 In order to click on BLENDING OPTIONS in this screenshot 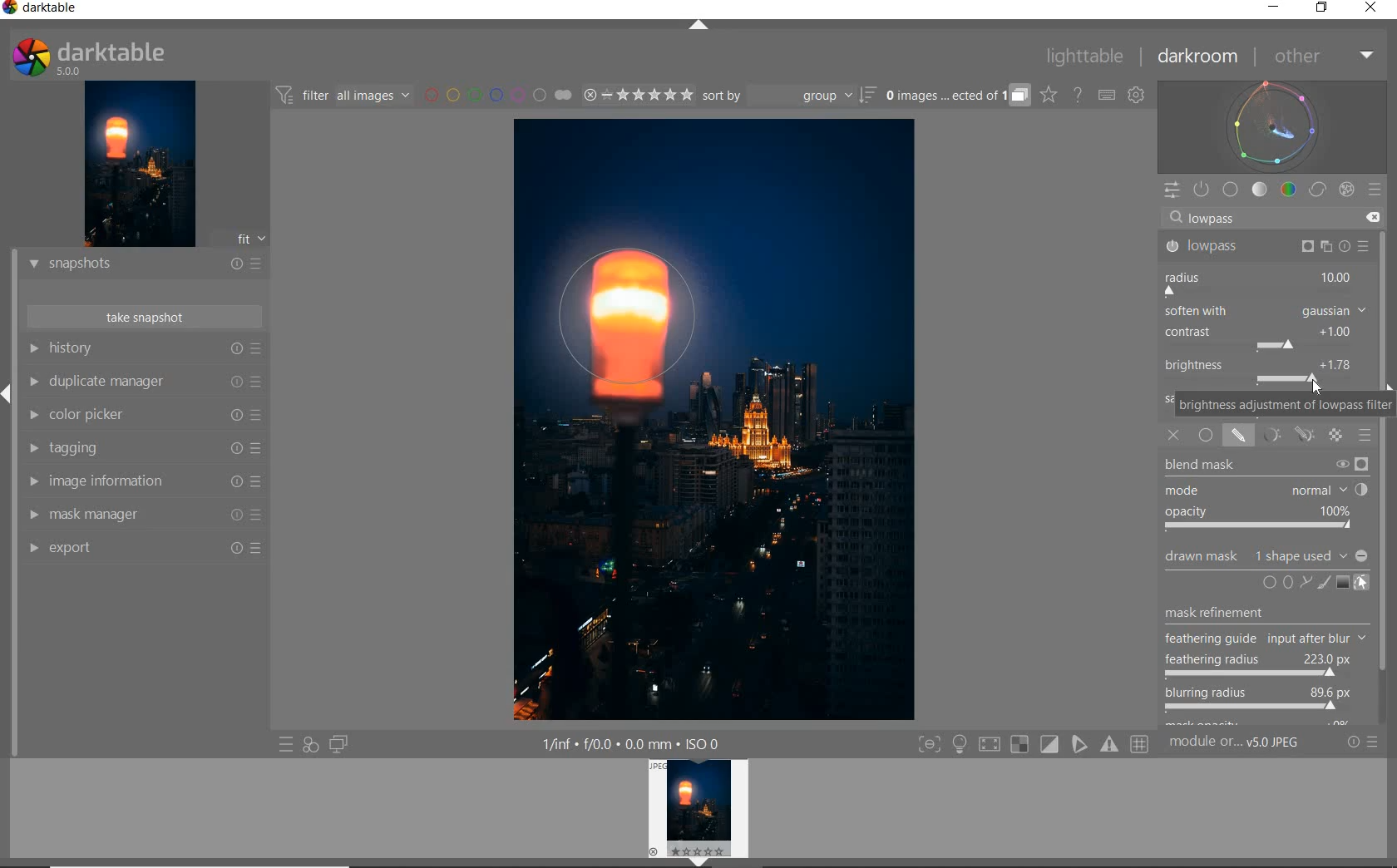, I will do `click(1366, 436)`.